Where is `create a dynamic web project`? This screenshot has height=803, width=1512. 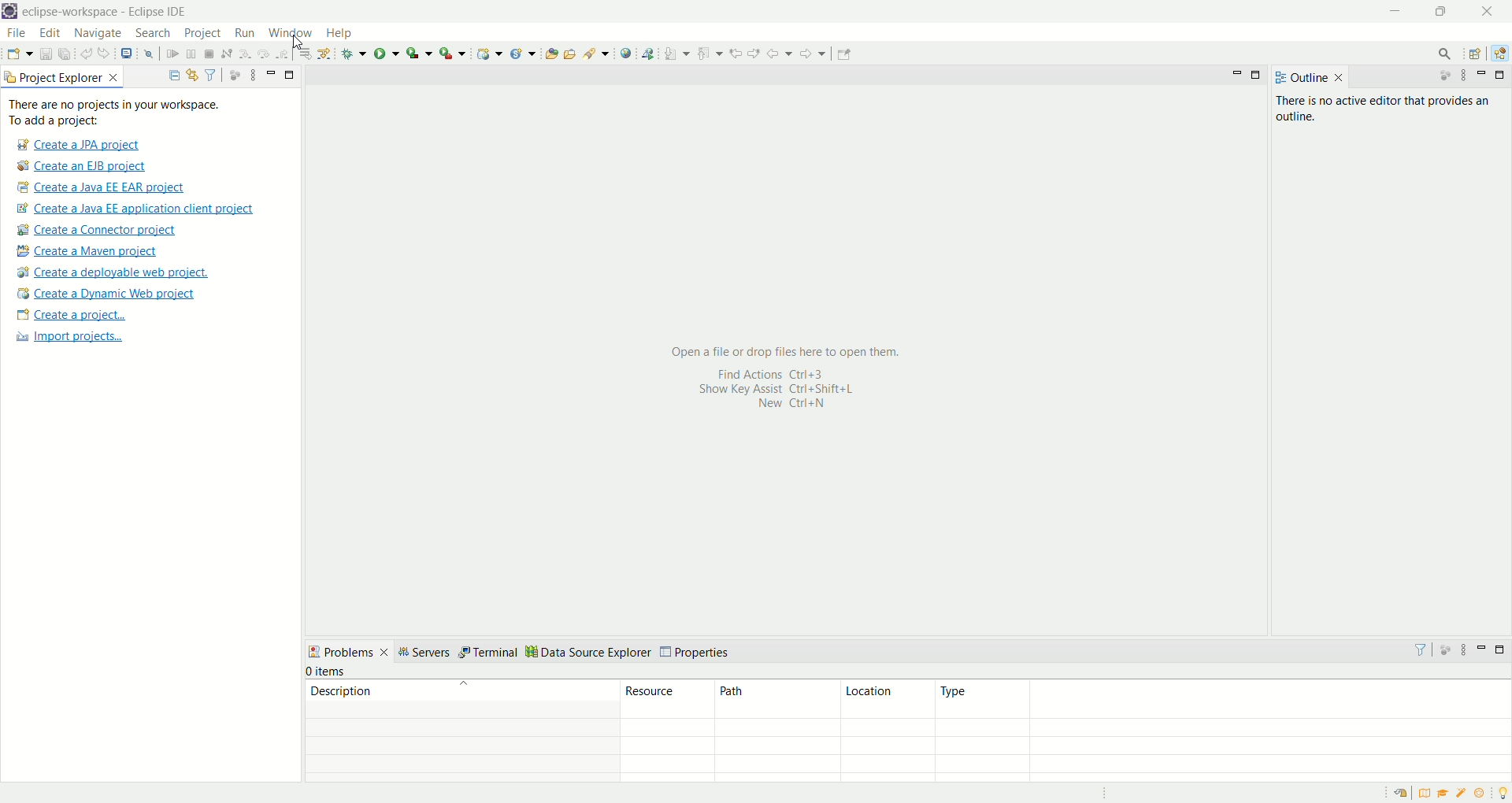 create a dynamic web project is located at coordinates (105, 294).